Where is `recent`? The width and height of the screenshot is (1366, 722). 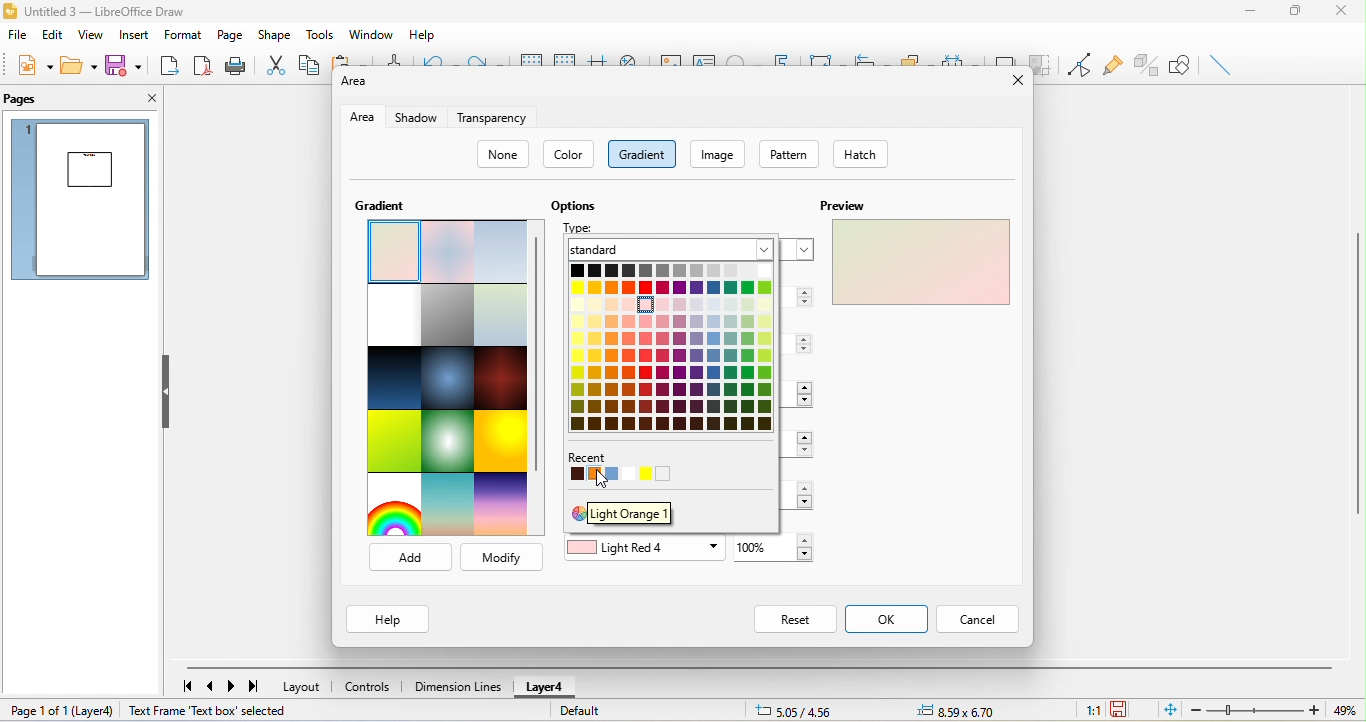
recent is located at coordinates (591, 456).